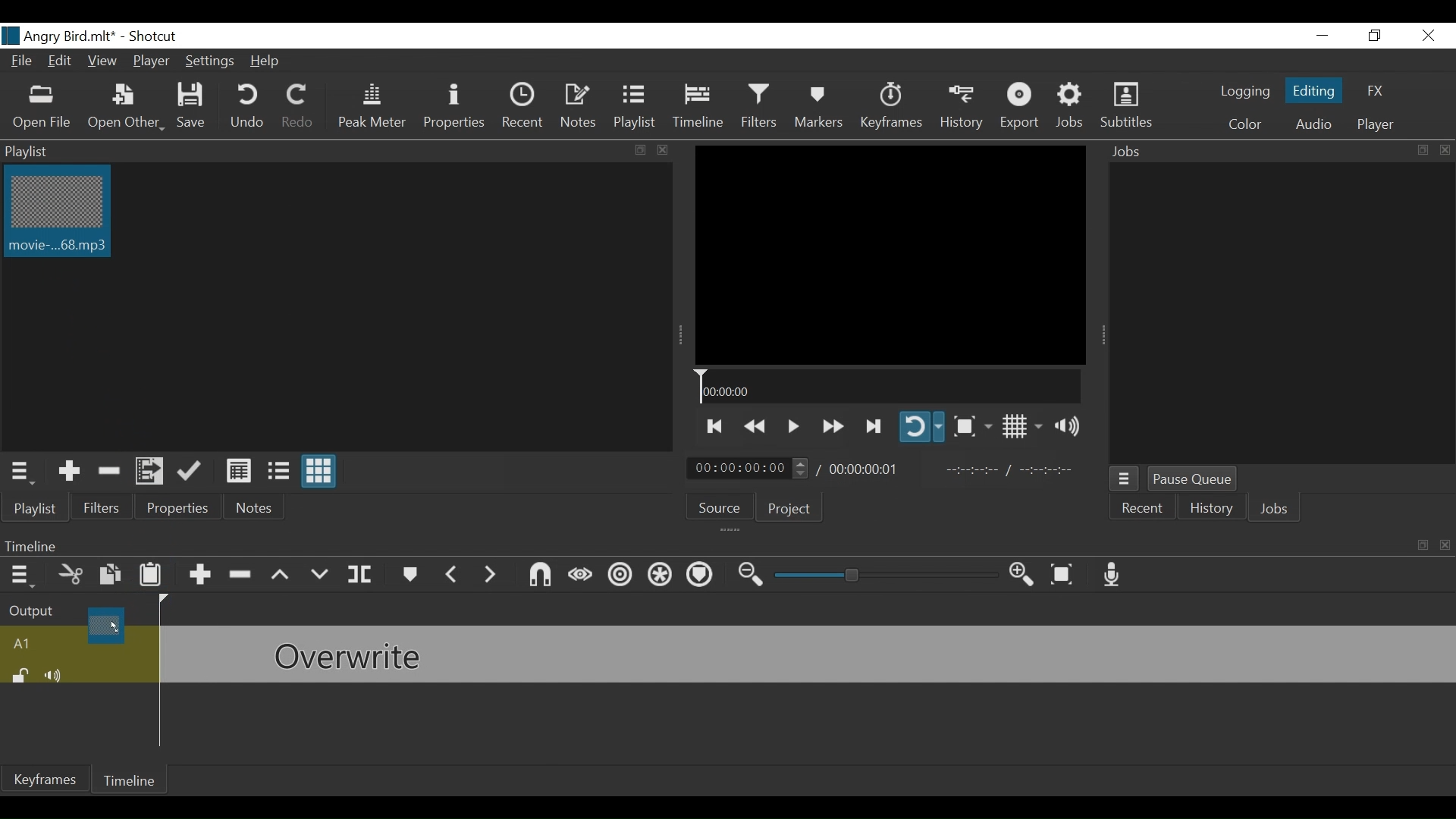  I want to click on close, so click(1442, 544).